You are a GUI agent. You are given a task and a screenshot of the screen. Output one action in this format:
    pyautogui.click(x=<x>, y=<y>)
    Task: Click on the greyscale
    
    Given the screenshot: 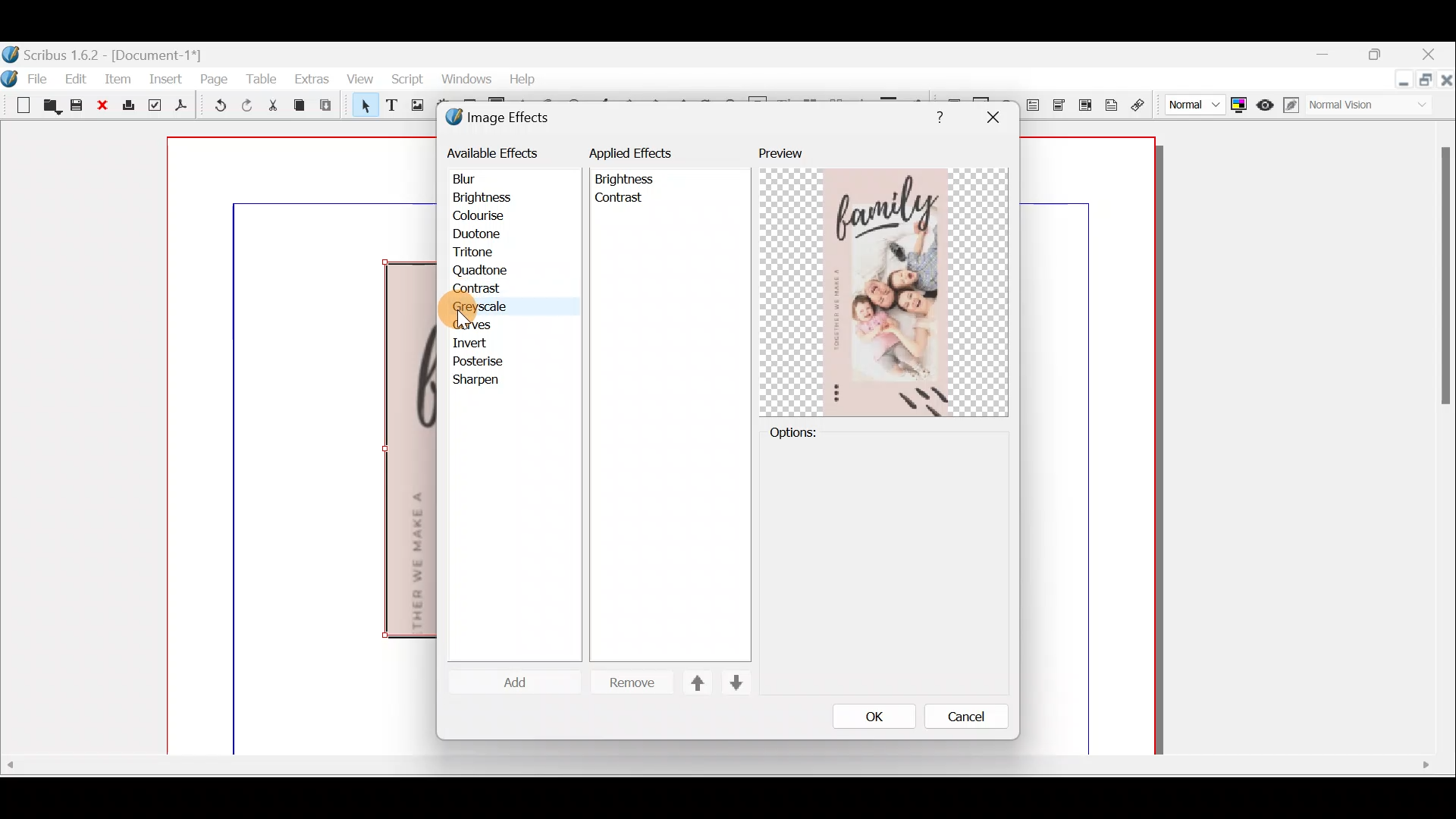 What is the action you would take?
    pyautogui.click(x=485, y=307)
    